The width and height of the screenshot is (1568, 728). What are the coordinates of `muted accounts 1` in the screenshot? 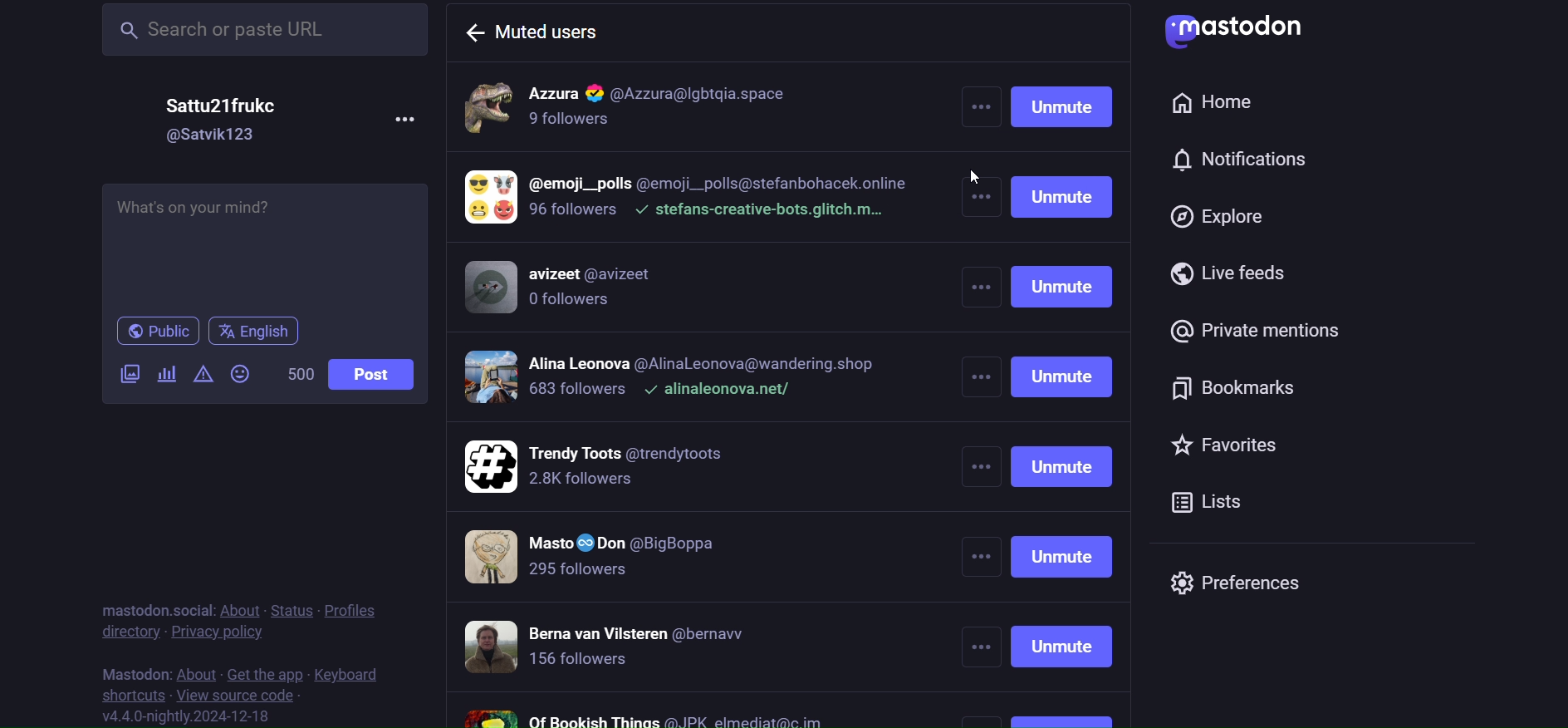 It's located at (699, 106).